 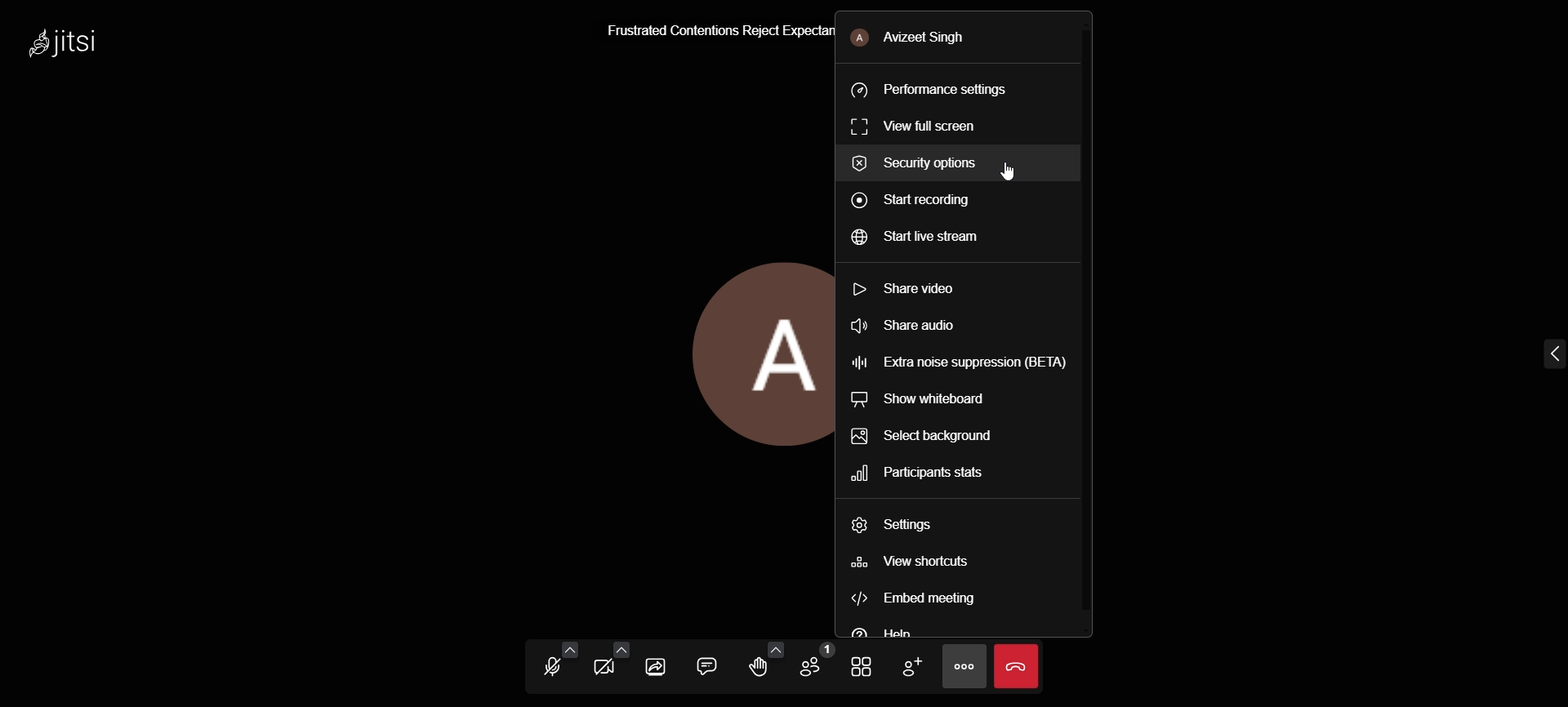 I want to click on Jitsi, so click(x=74, y=43).